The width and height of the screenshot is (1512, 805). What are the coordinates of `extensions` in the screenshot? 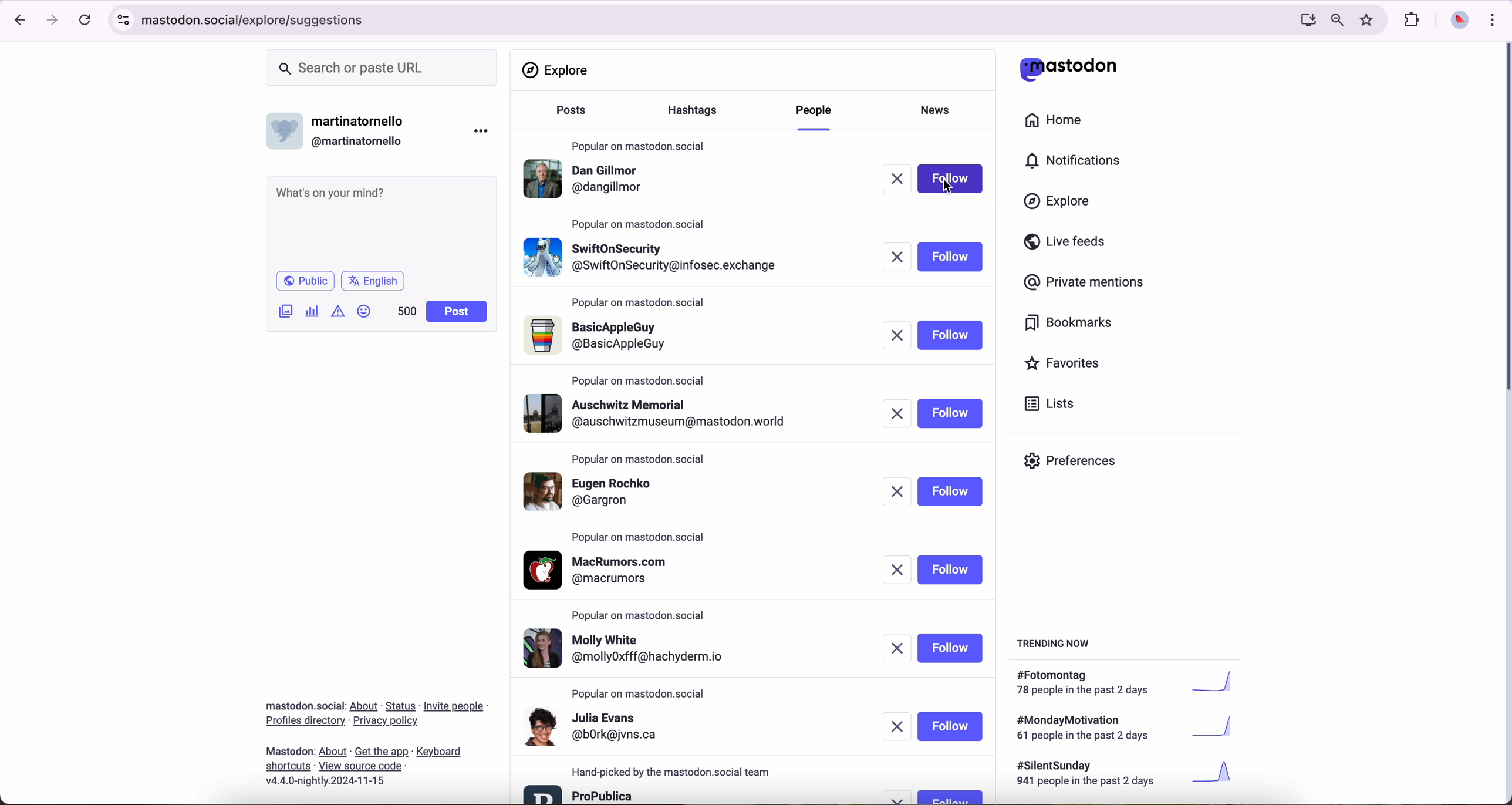 It's located at (1413, 20).